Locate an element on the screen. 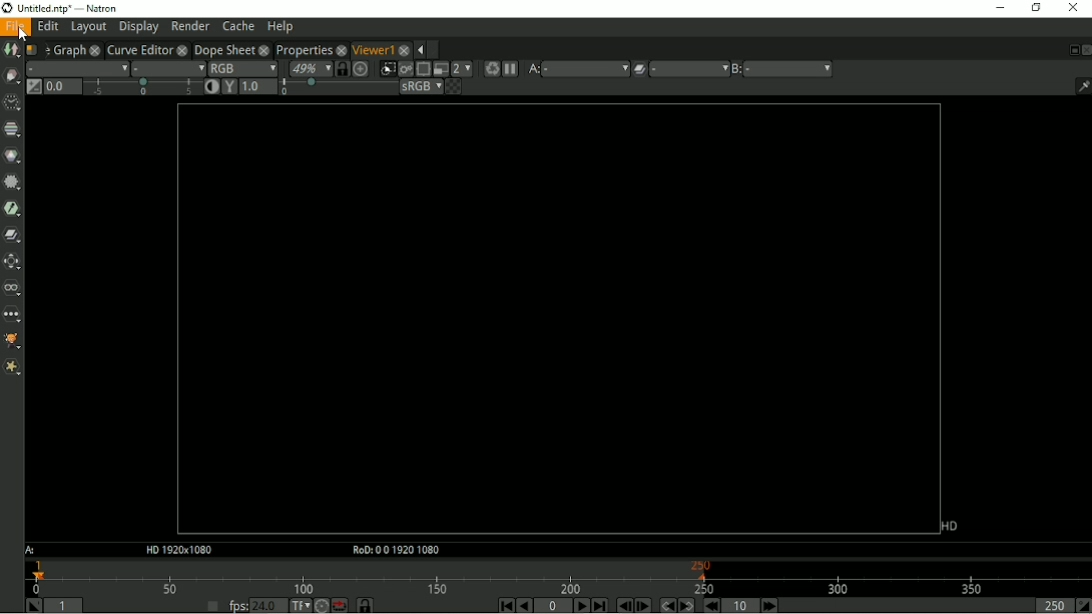 This screenshot has height=614, width=1092. Information bar is located at coordinates (1079, 85).